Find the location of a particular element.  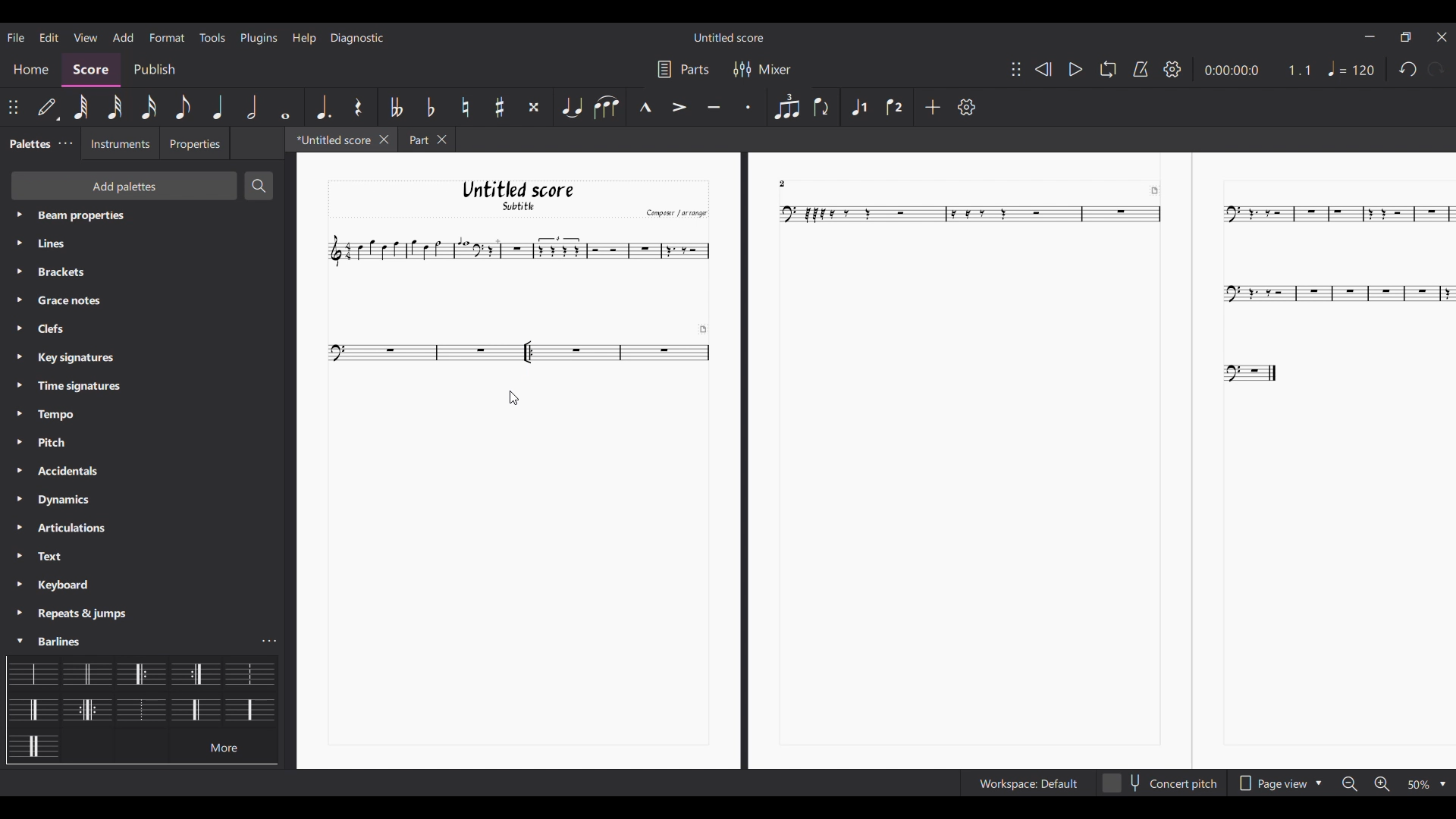

Zoom options is located at coordinates (1427, 784).